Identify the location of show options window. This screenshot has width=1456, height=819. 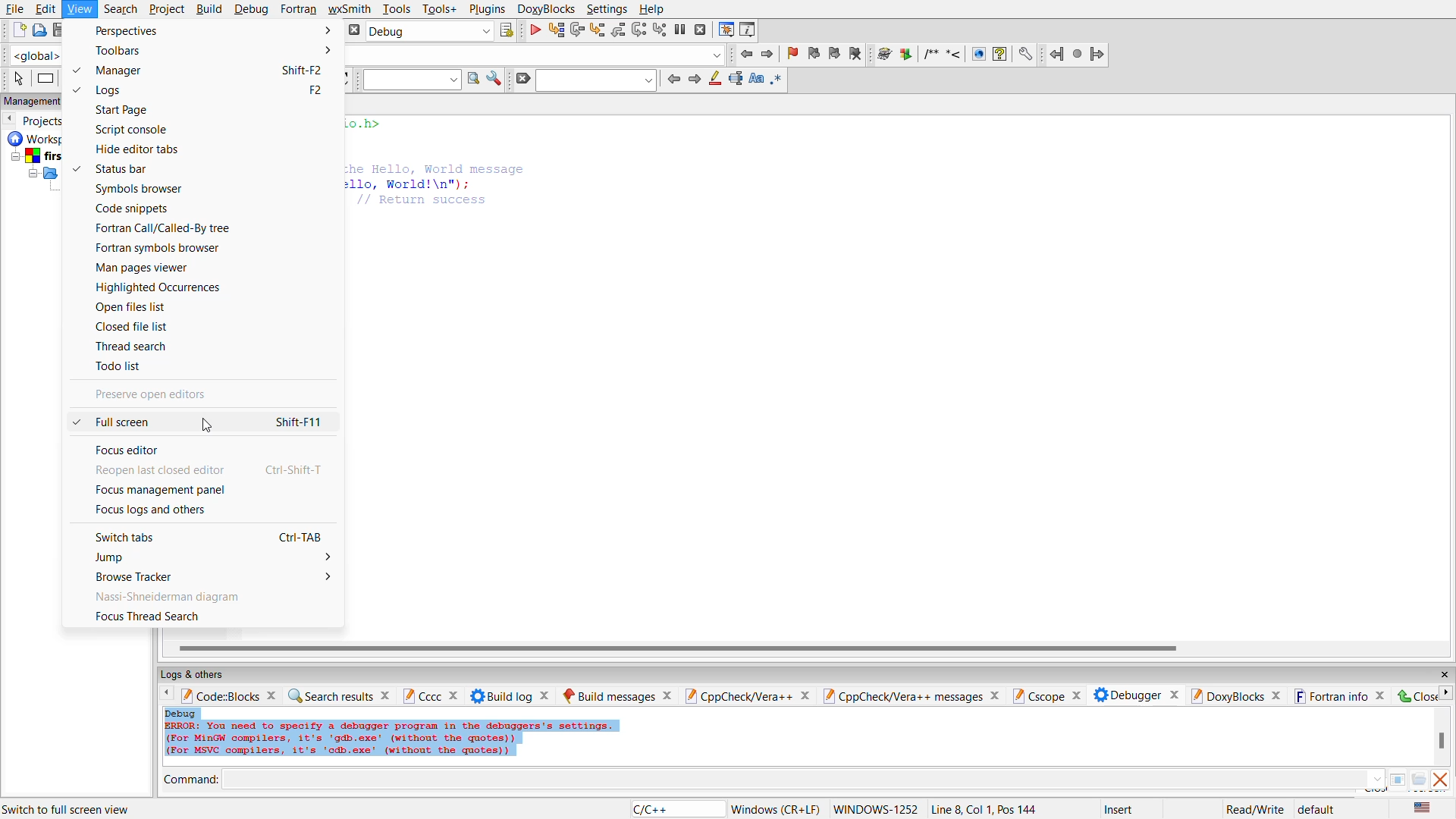
(495, 80).